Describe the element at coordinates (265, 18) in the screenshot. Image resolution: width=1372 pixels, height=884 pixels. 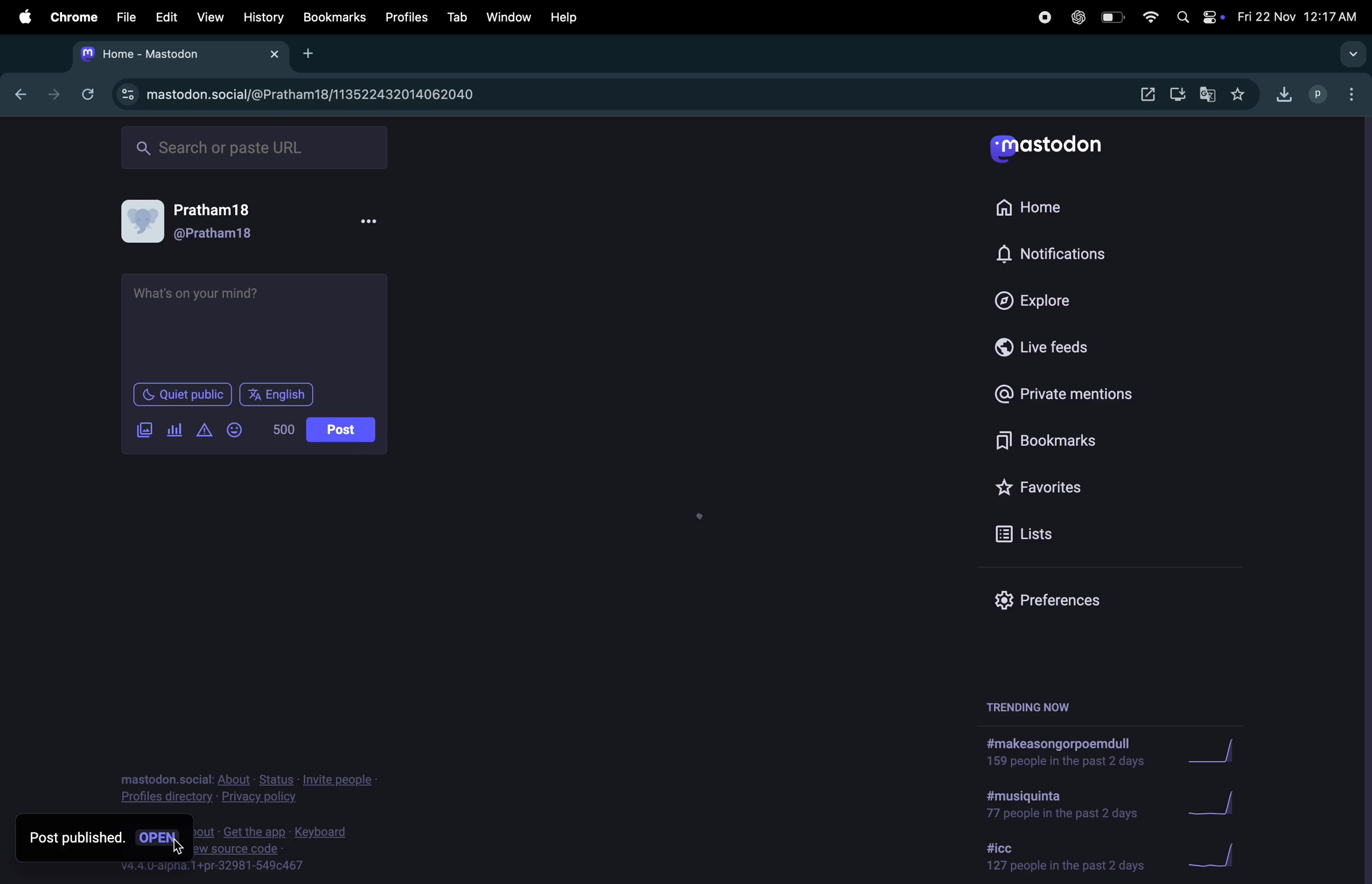
I see `history` at that location.